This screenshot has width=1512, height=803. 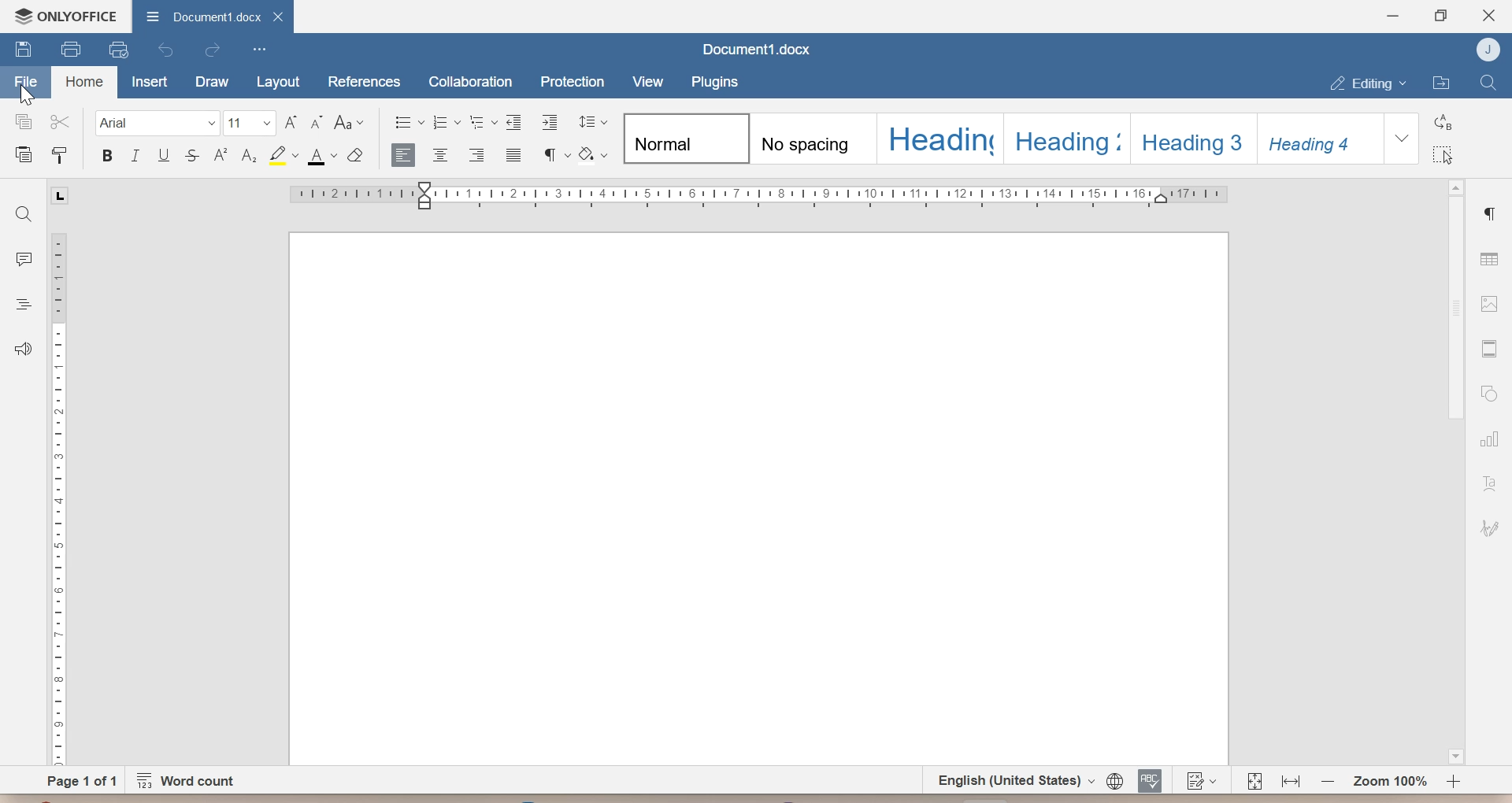 I want to click on Zoom out, so click(x=1290, y=780).